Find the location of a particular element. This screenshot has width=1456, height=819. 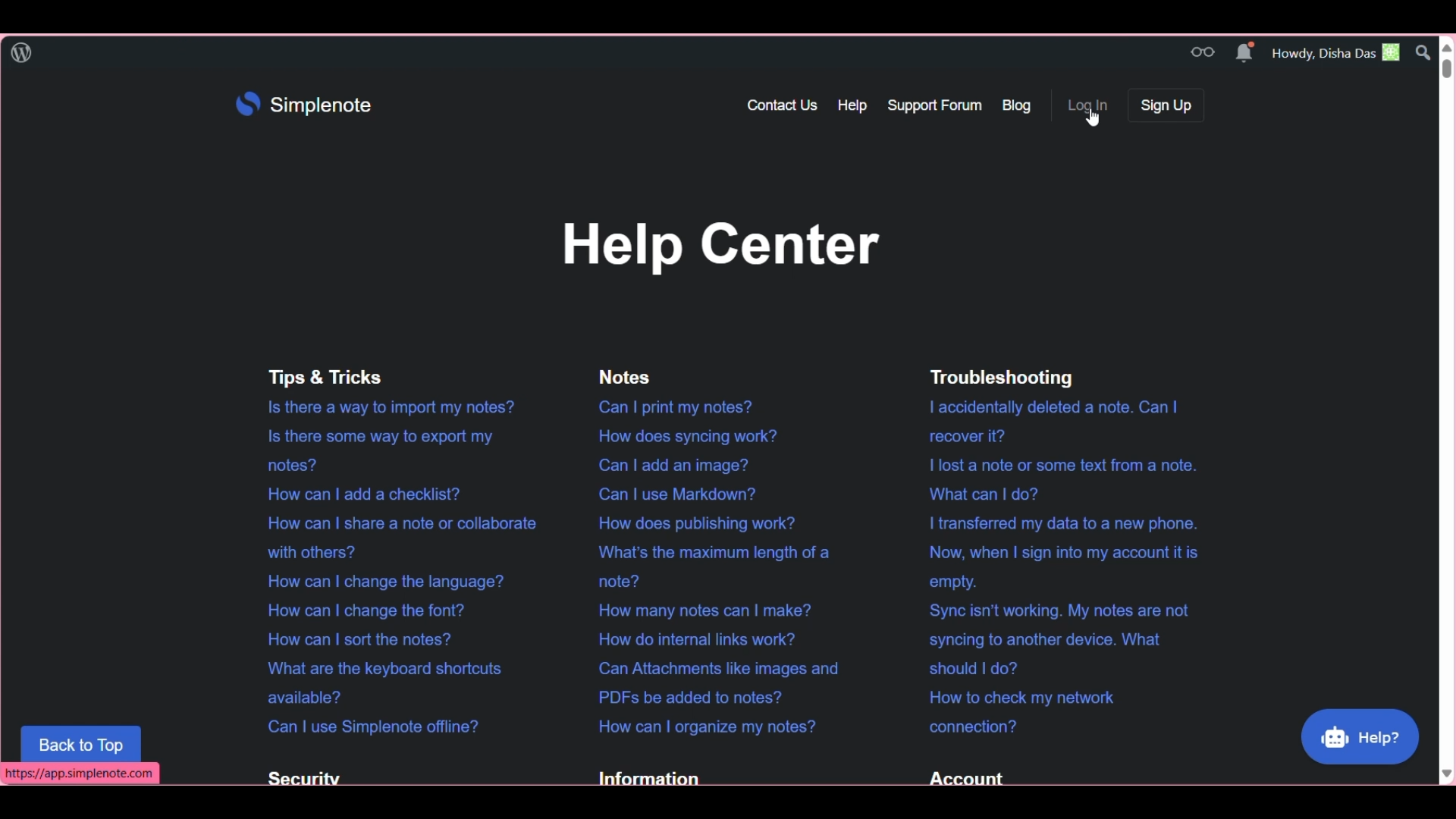

Help is located at coordinates (852, 106).